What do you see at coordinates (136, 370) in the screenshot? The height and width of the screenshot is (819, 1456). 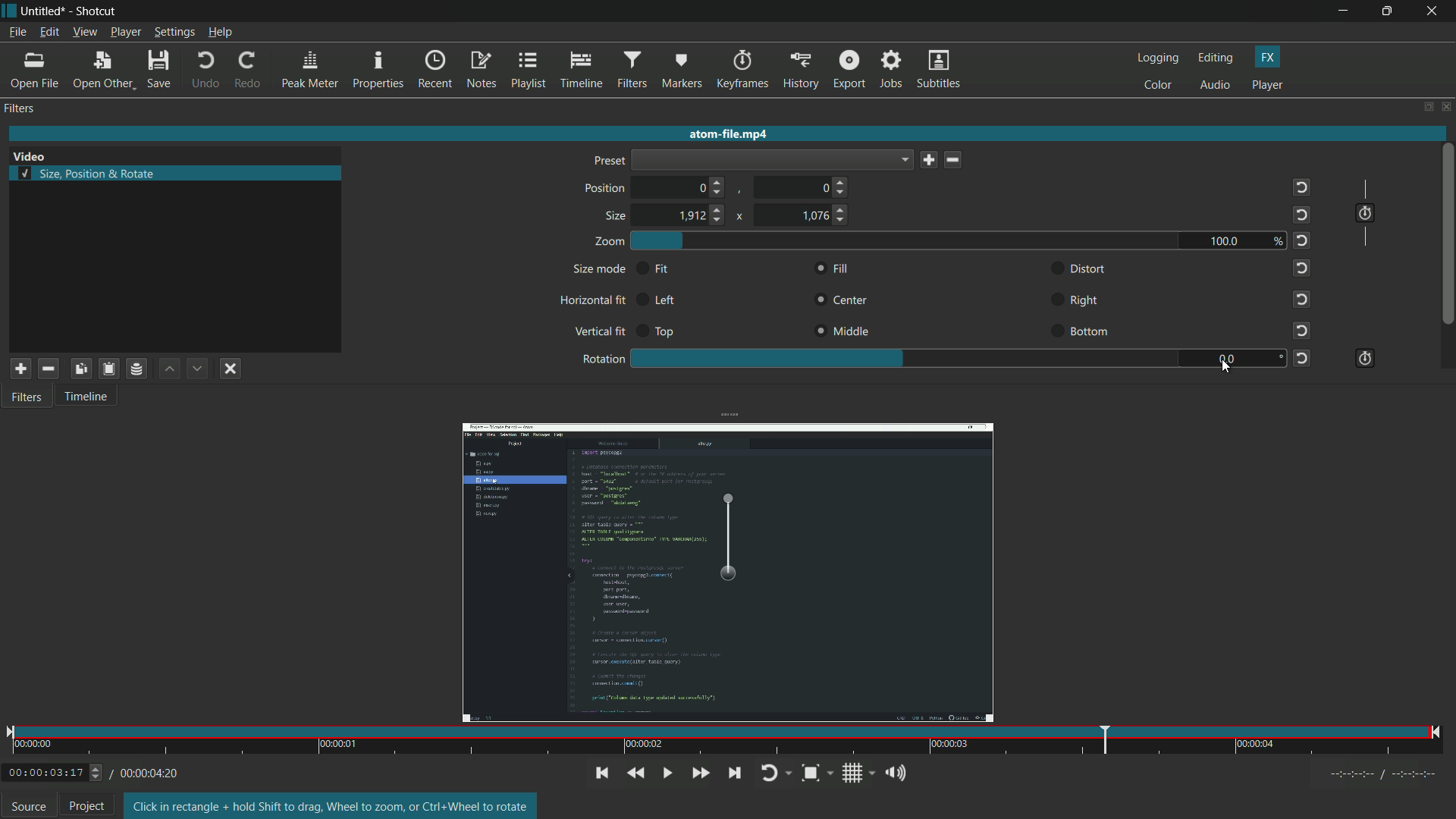 I see `save filter set` at bounding box center [136, 370].